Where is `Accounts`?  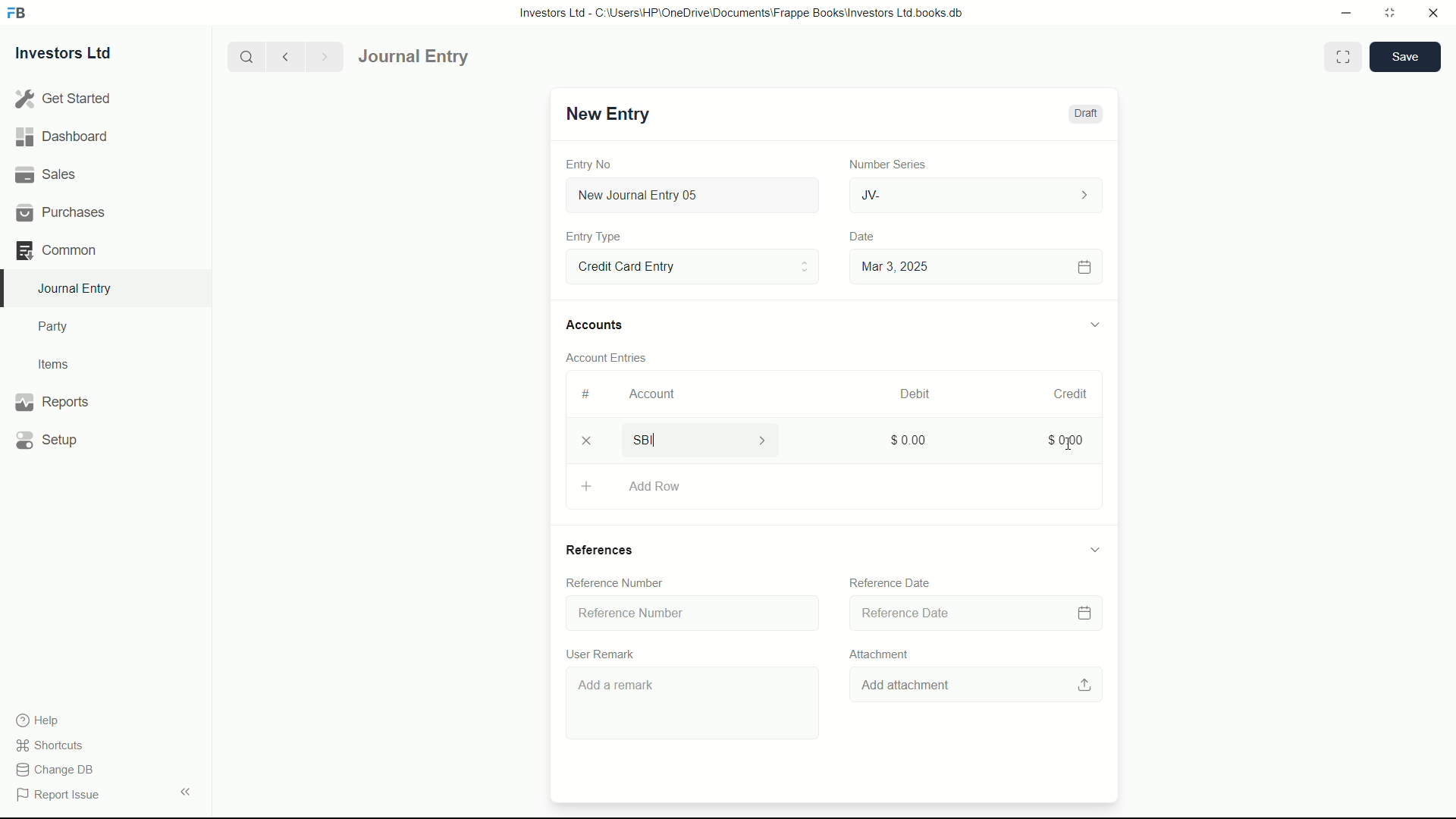 Accounts is located at coordinates (598, 325).